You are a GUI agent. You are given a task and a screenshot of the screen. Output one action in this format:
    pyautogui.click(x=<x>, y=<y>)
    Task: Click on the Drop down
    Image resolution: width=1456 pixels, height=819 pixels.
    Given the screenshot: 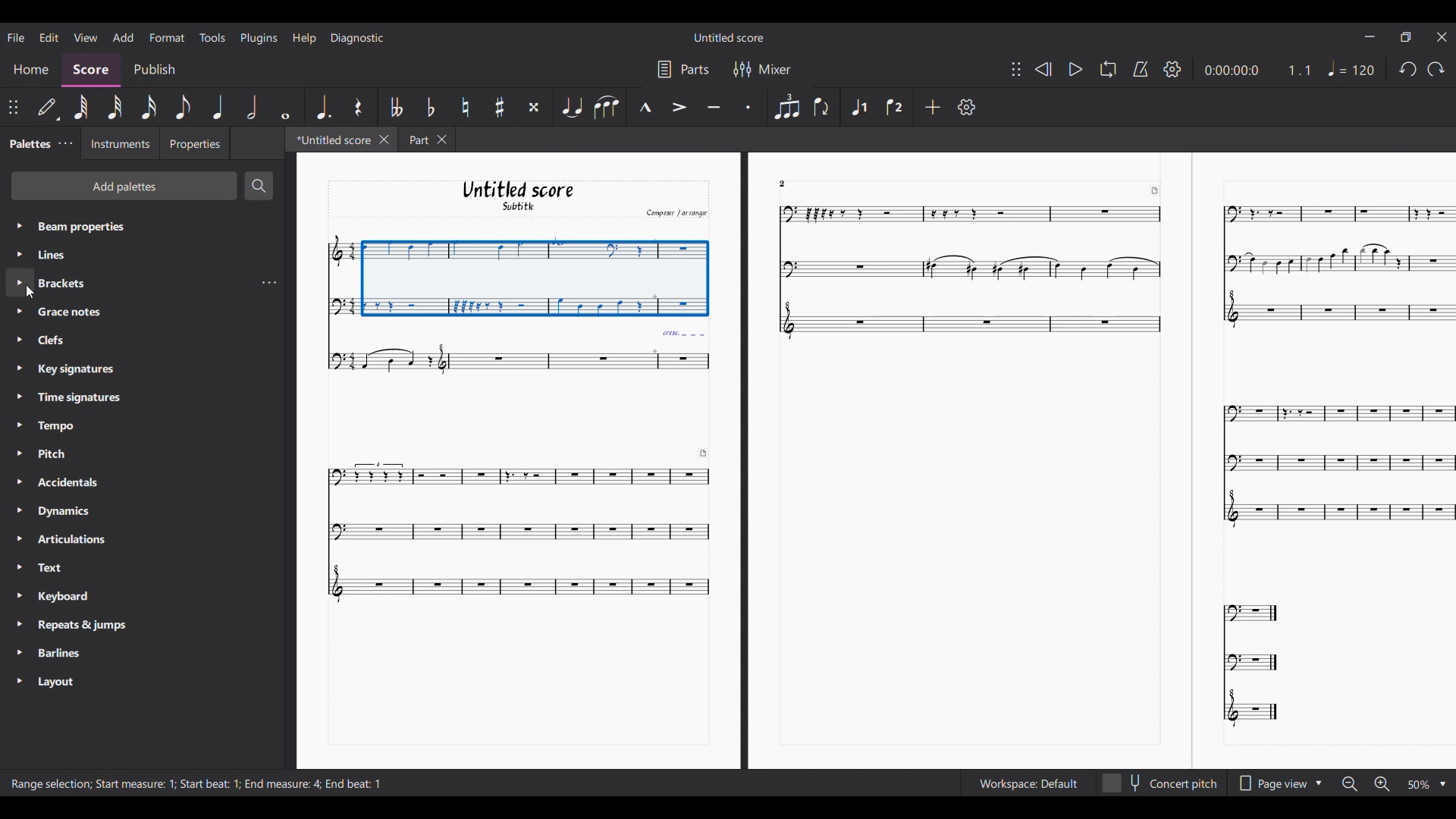 What is the action you would take?
    pyautogui.click(x=1442, y=785)
    